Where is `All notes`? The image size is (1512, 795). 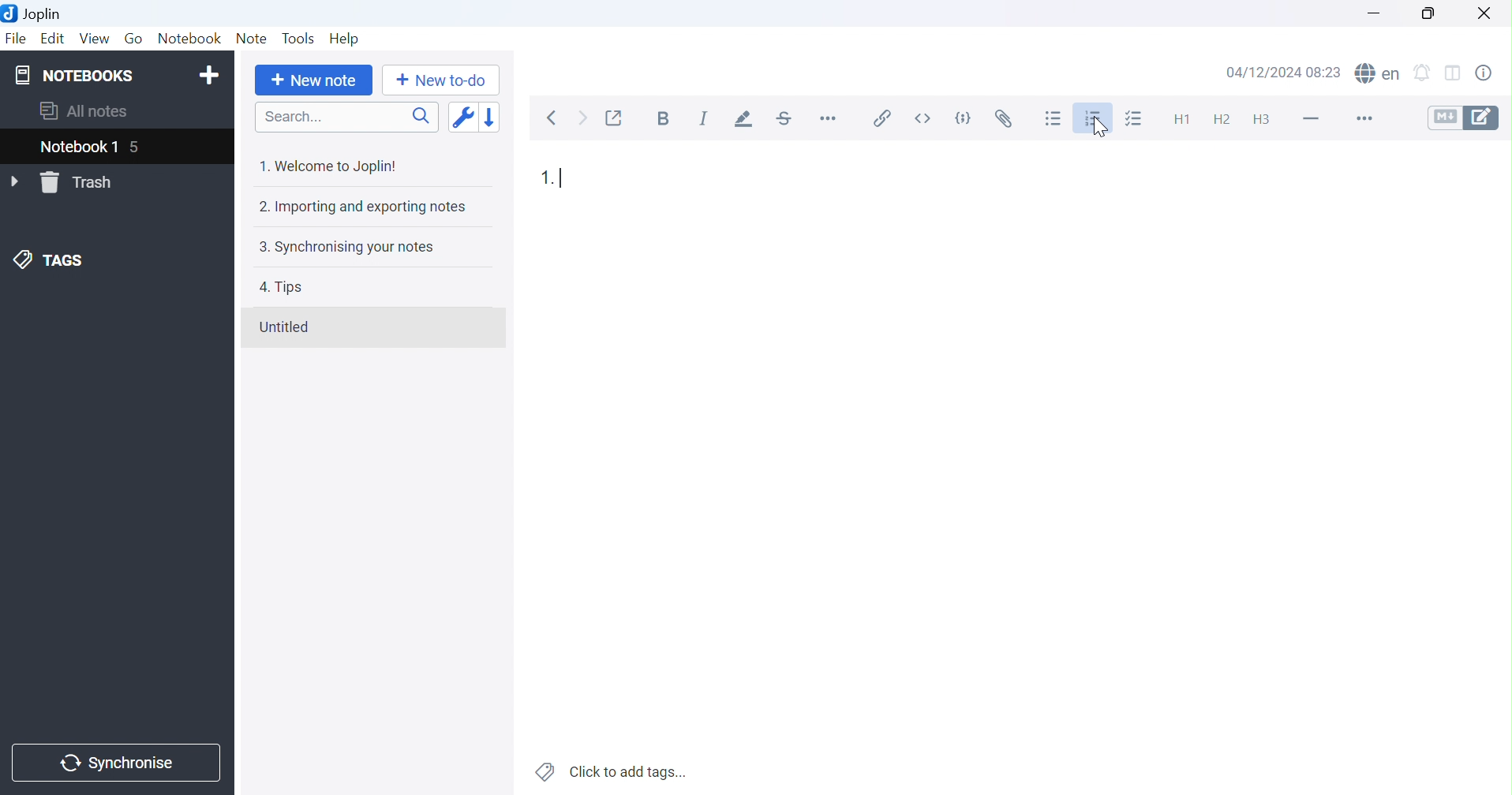 All notes is located at coordinates (82, 113).